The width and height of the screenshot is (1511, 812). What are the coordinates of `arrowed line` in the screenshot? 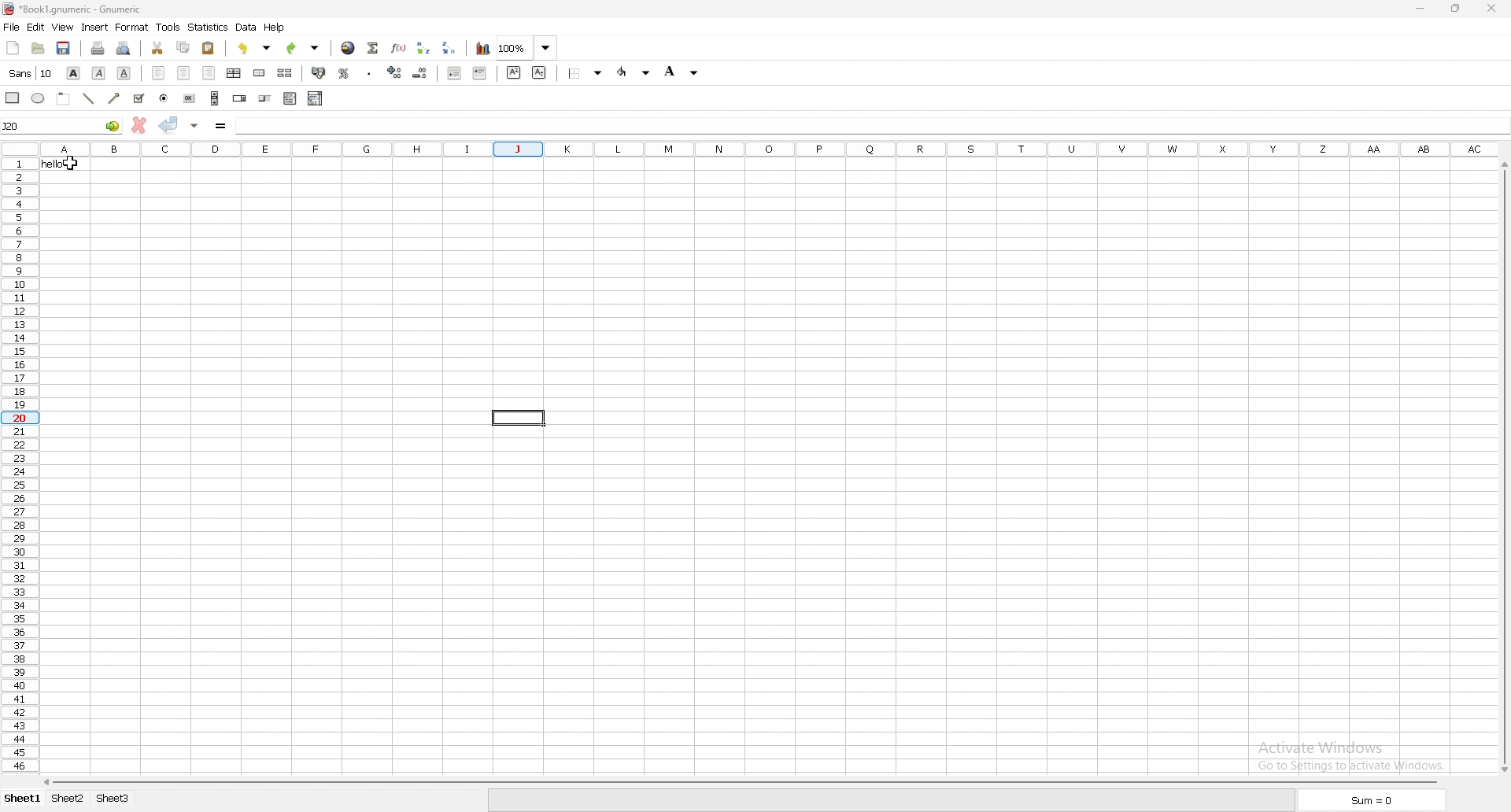 It's located at (115, 98).